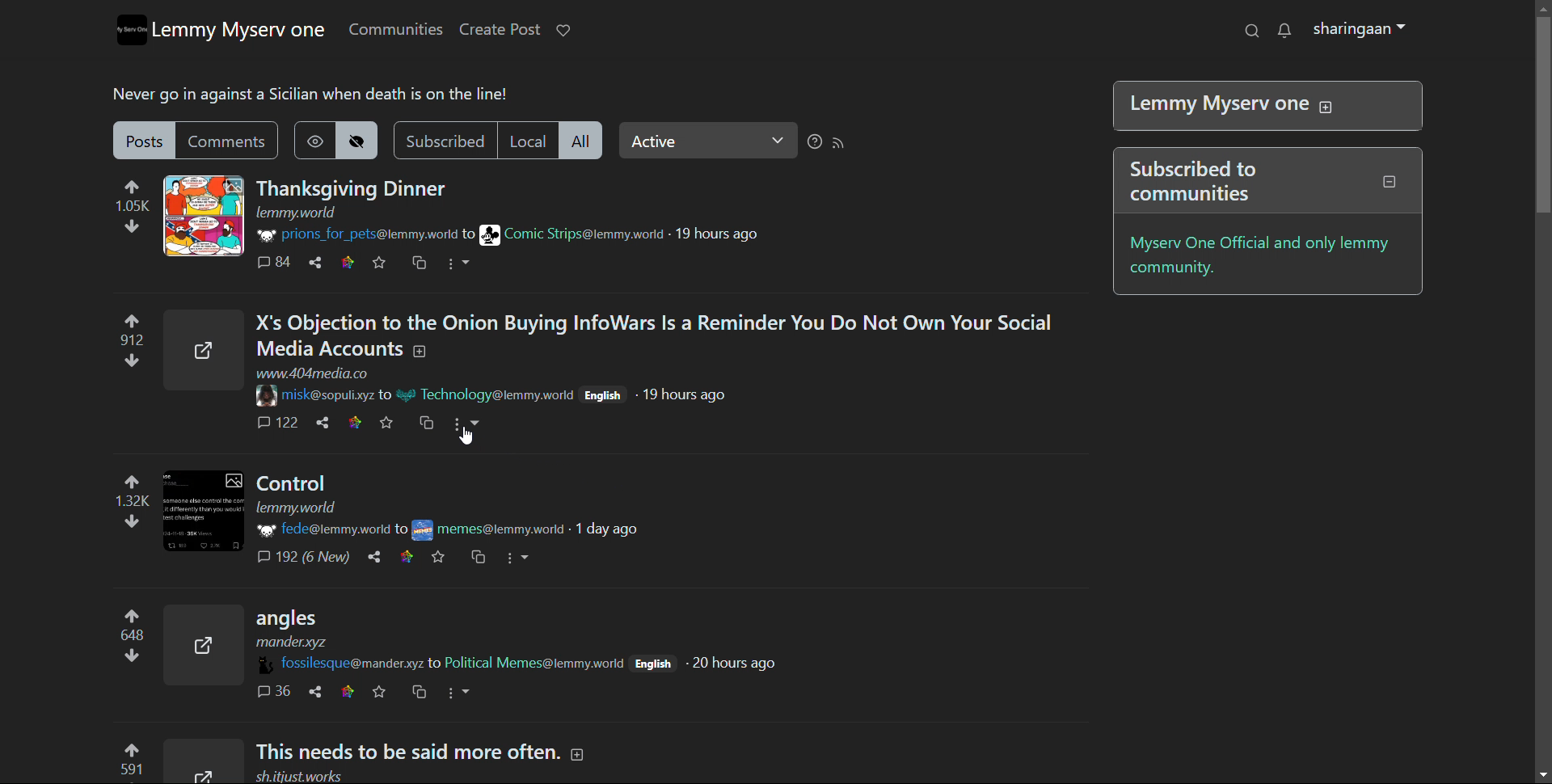 The height and width of the screenshot is (784, 1552). I want to click on lemmy myserv one logo and name, so click(222, 30).